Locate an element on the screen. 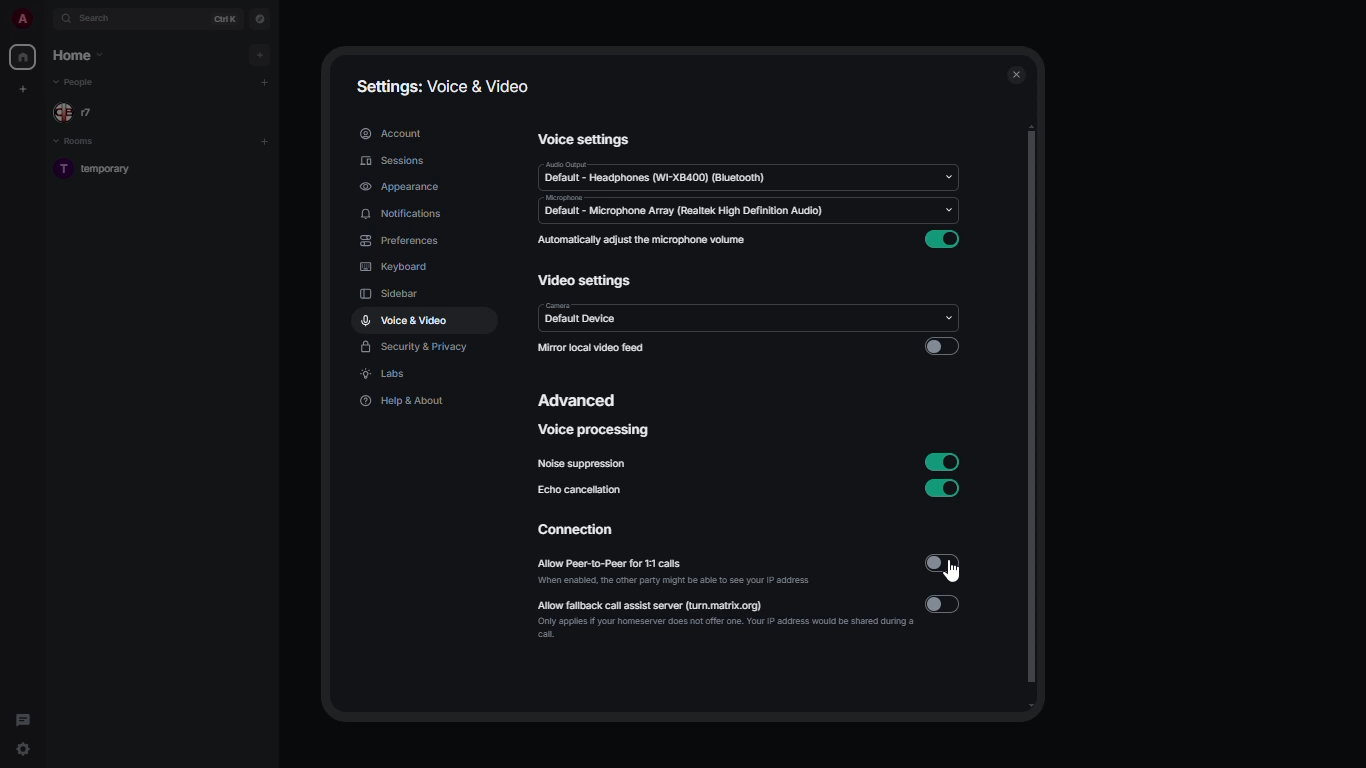 Image resolution: width=1366 pixels, height=768 pixels. enabled is located at coordinates (943, 490).